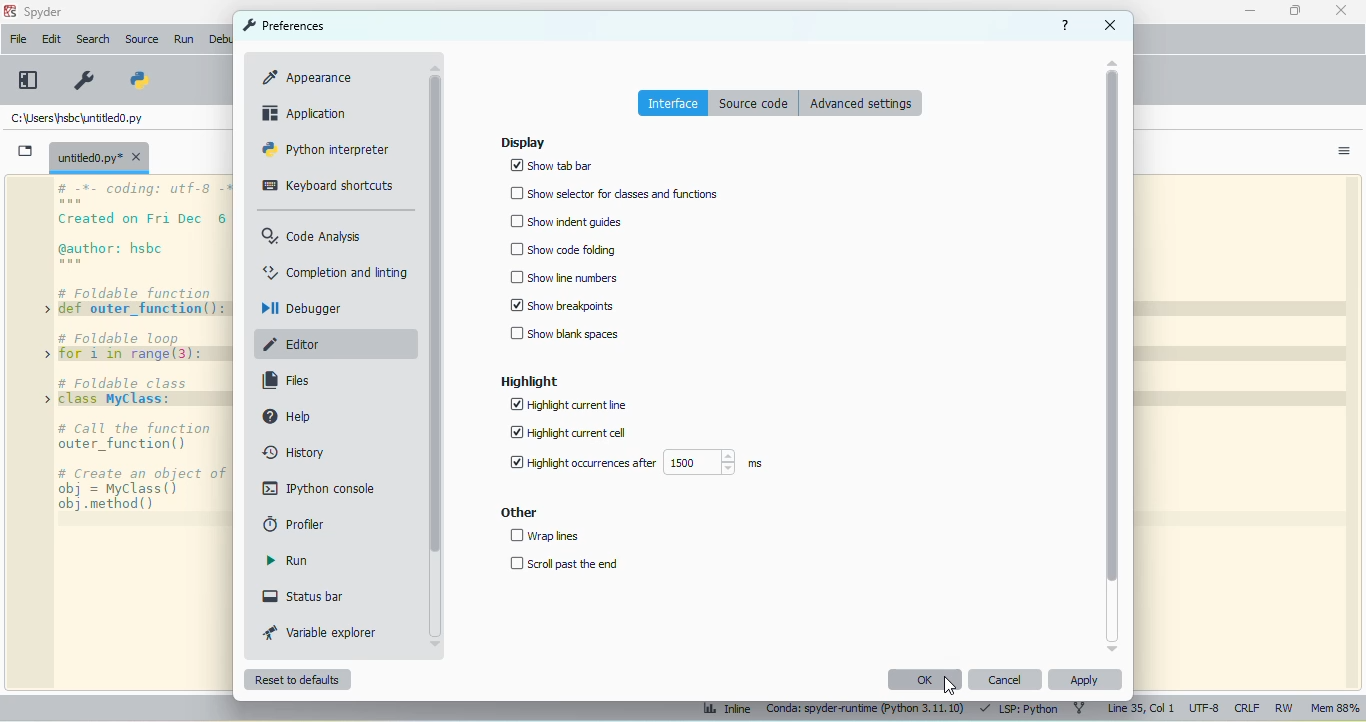  What do you see at coordinates (1019, 710) in the screenshot?
I see `LSP: python` at bounding box center [1019, 710].